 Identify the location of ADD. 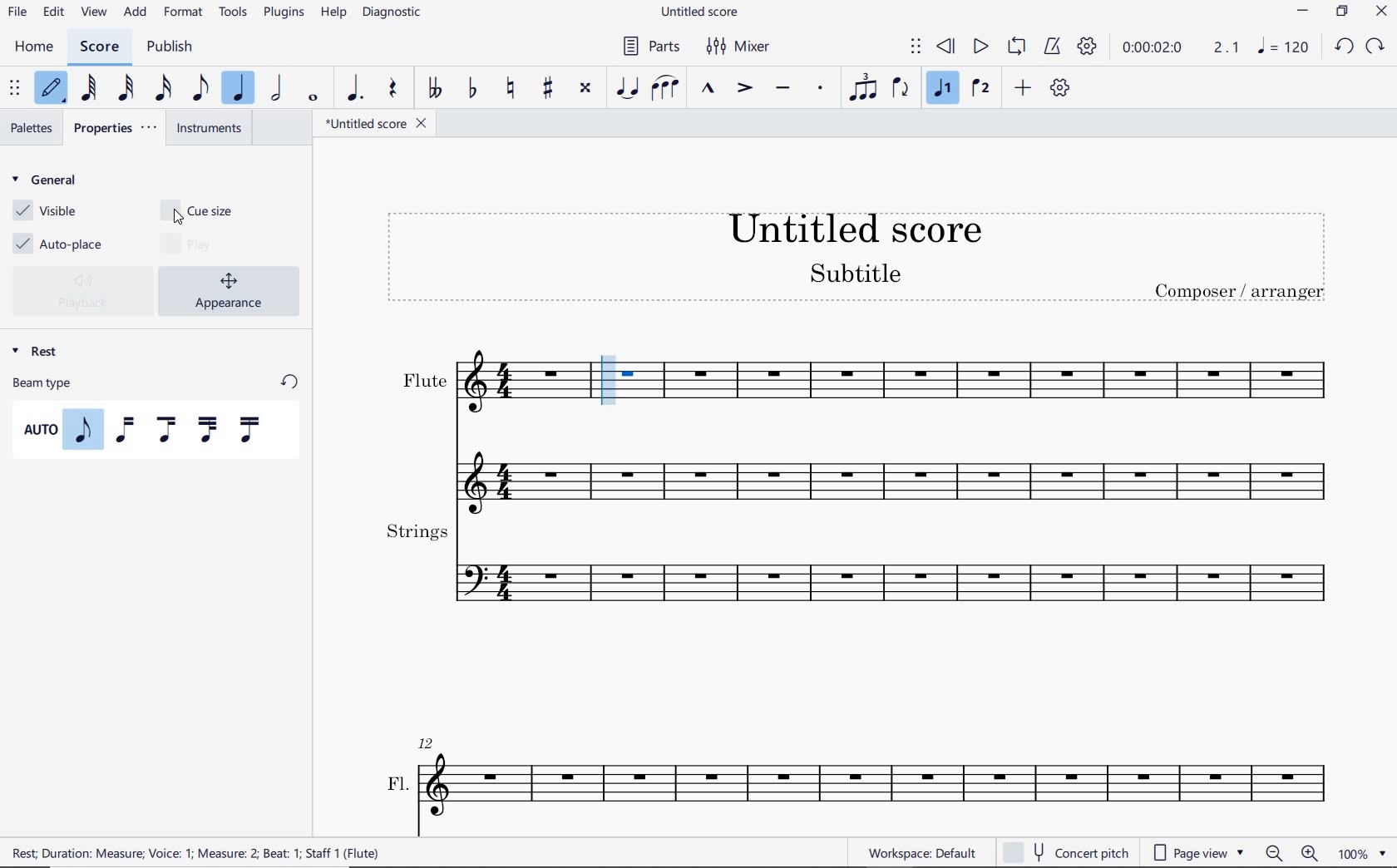
(135, 12).